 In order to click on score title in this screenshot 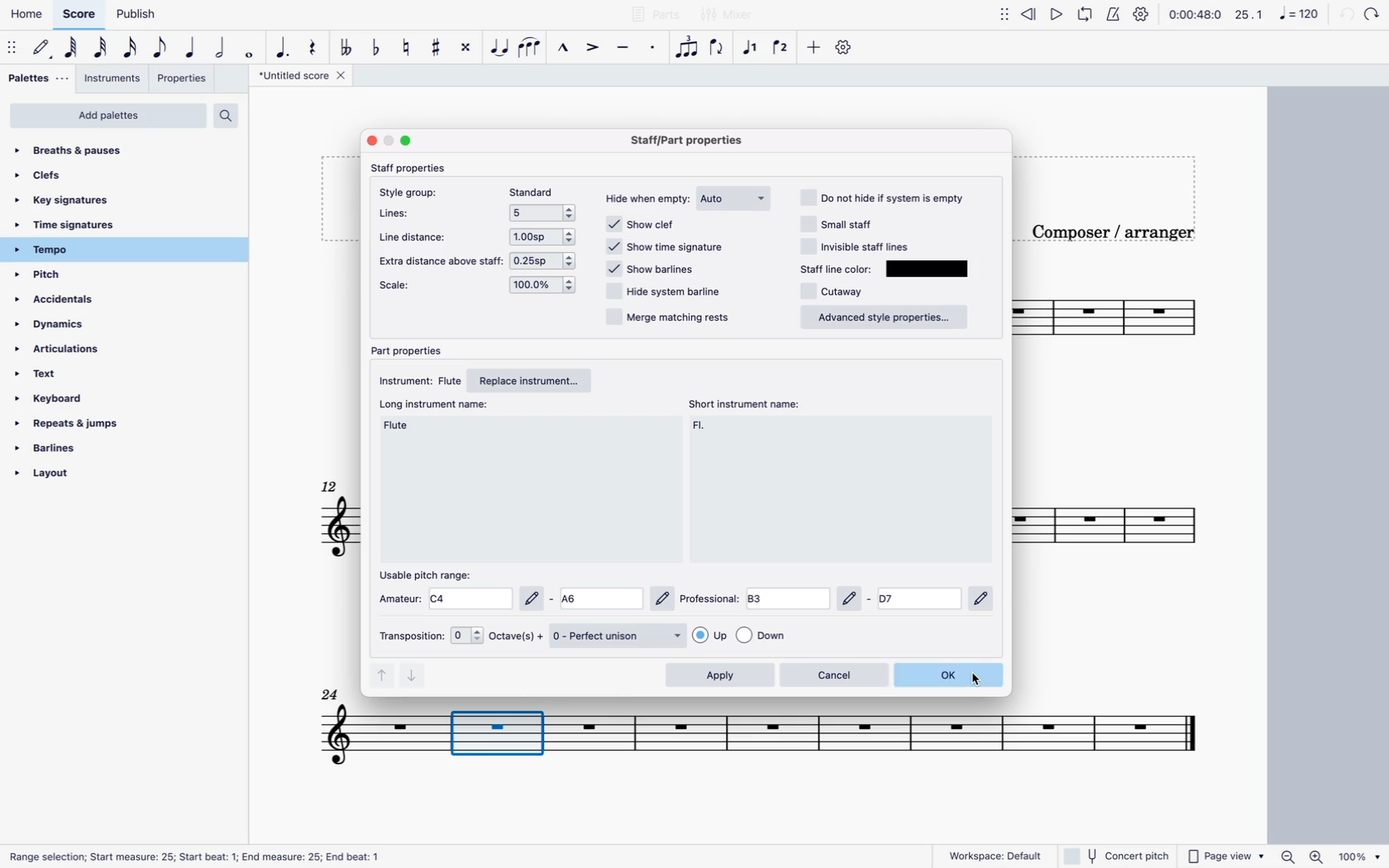, I will do `click(304, 77)`.